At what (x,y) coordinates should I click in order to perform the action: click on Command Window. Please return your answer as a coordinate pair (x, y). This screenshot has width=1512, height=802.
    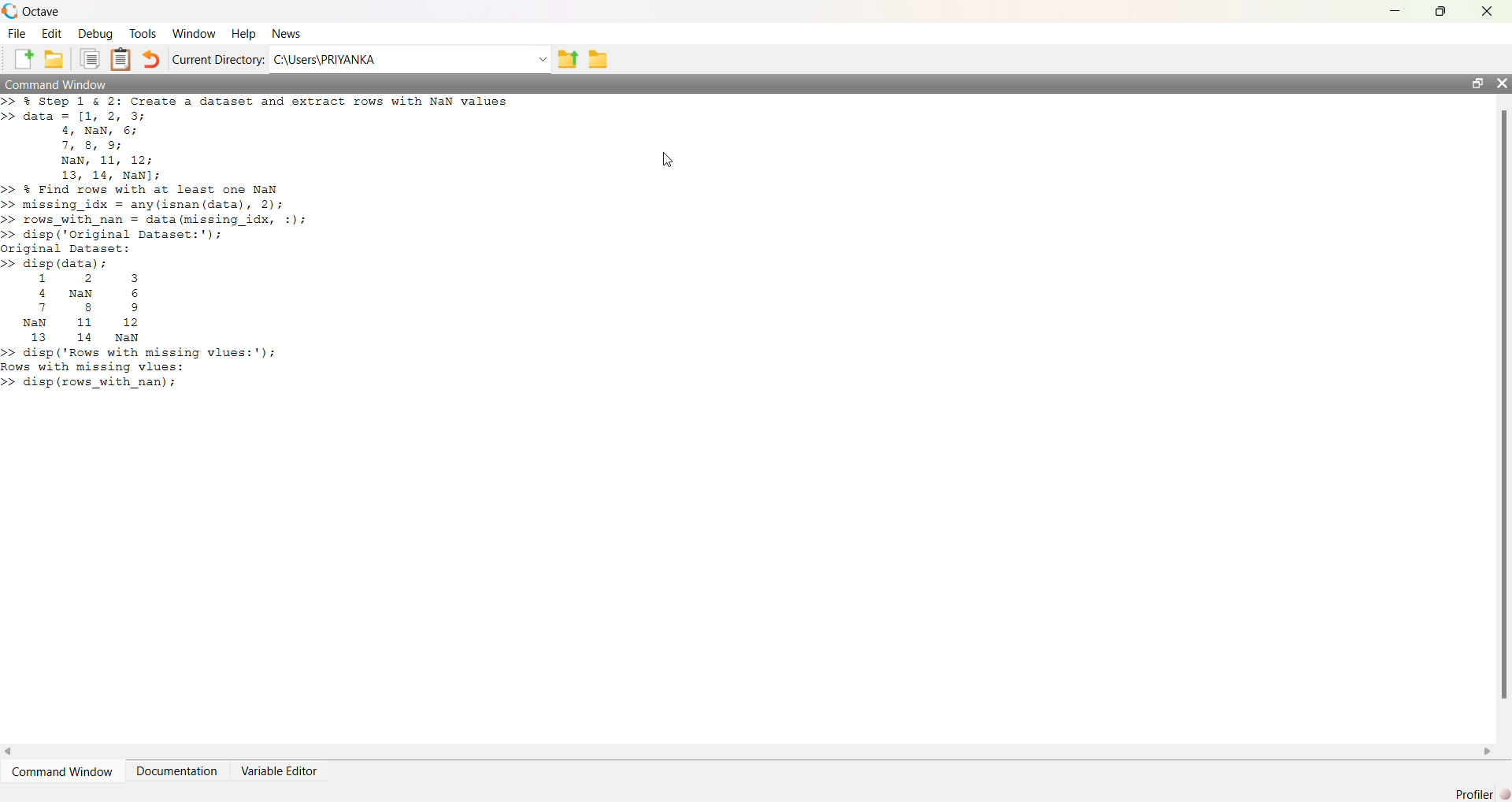
    Looking at the image, I should click on (57, 84).